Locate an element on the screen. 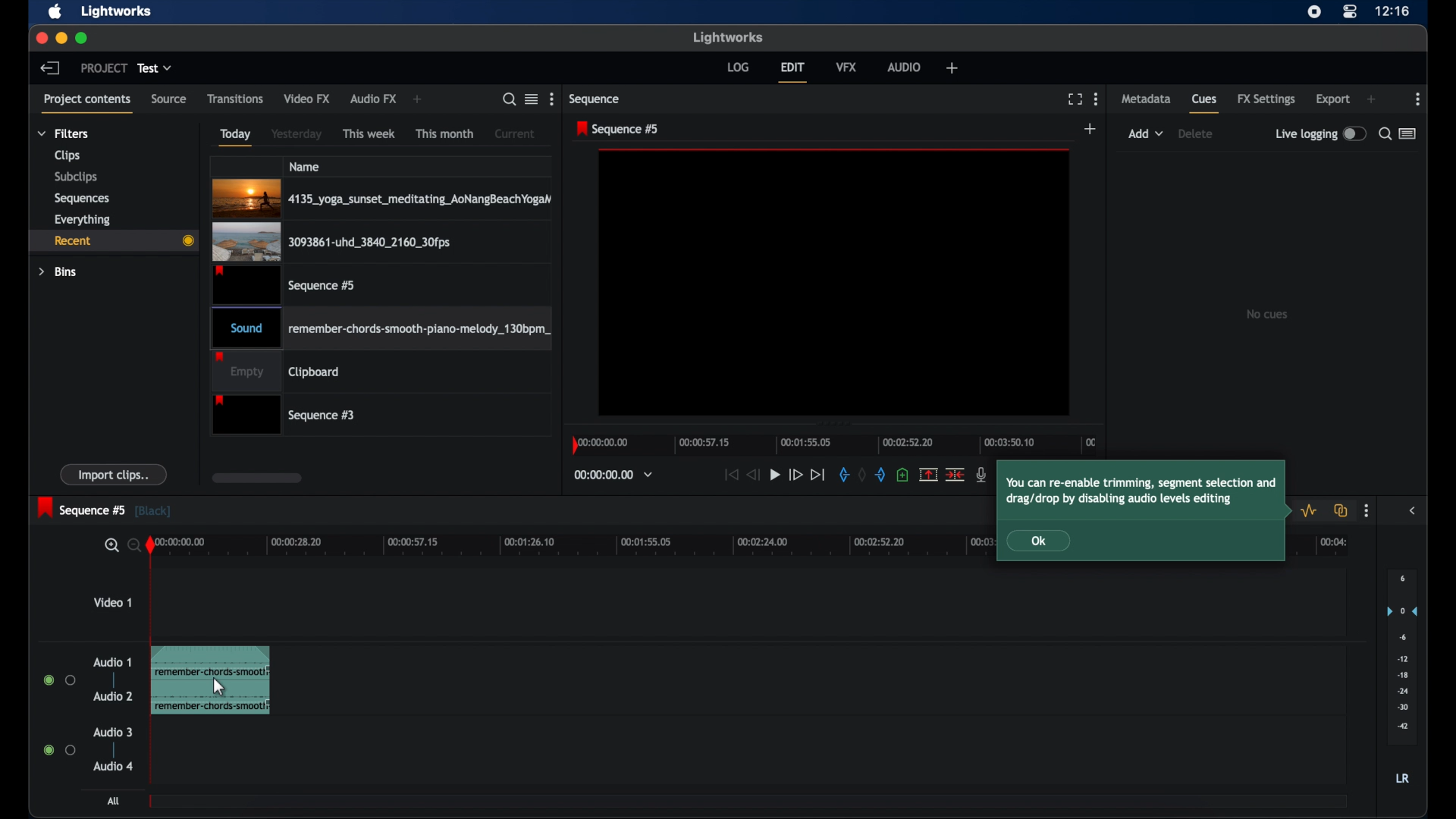 Image resolution: width=1456 pixels, height=819 pixels.  3093861-uhd_3840_2160_30fps is located at coordinates (331, 241).